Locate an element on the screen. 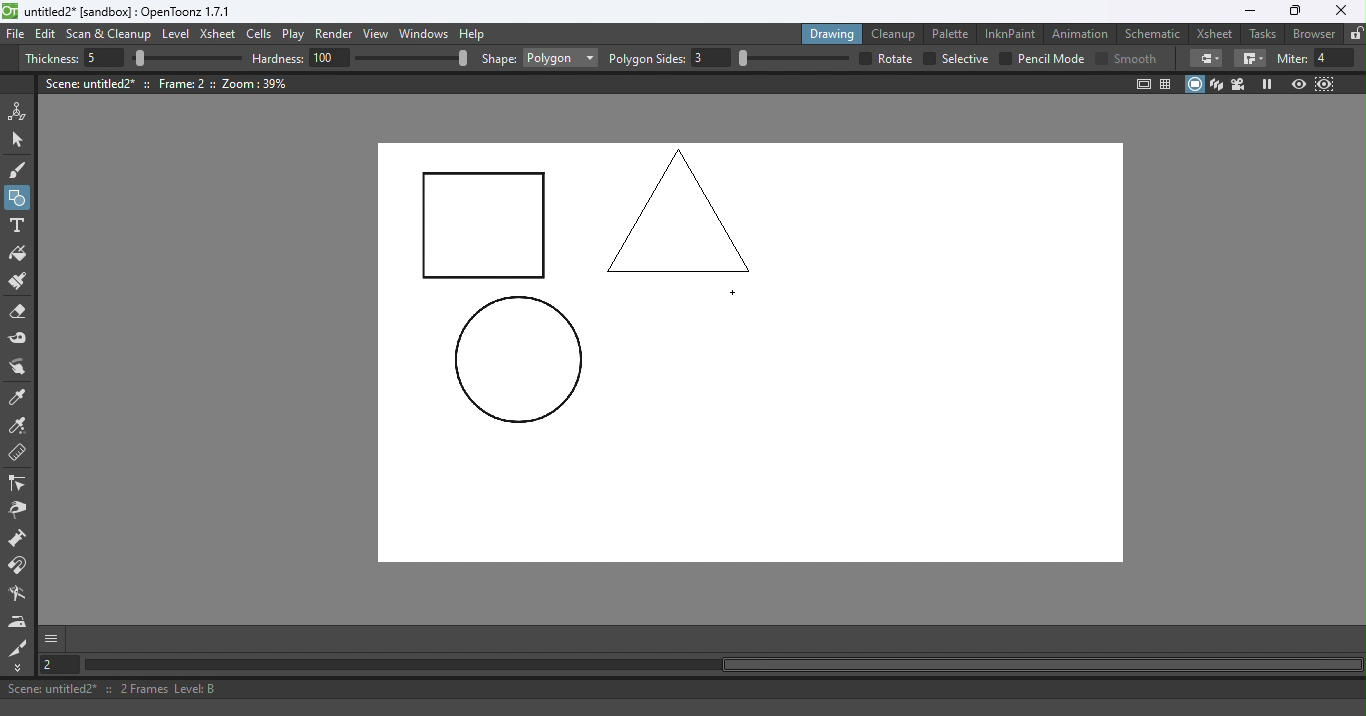 The image size is (1366, 716). Status bar is located at coordinates (683, 689).